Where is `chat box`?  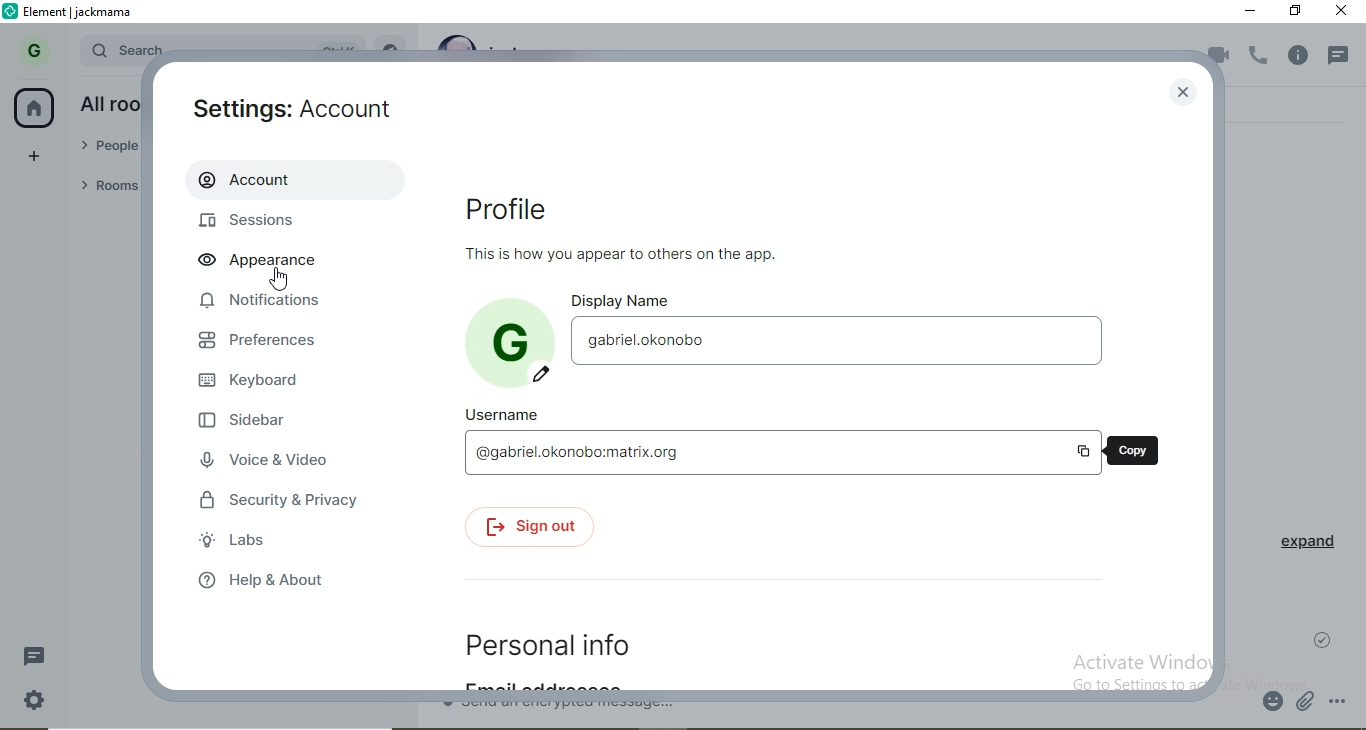 chat box is located at coordinates (847, 709).